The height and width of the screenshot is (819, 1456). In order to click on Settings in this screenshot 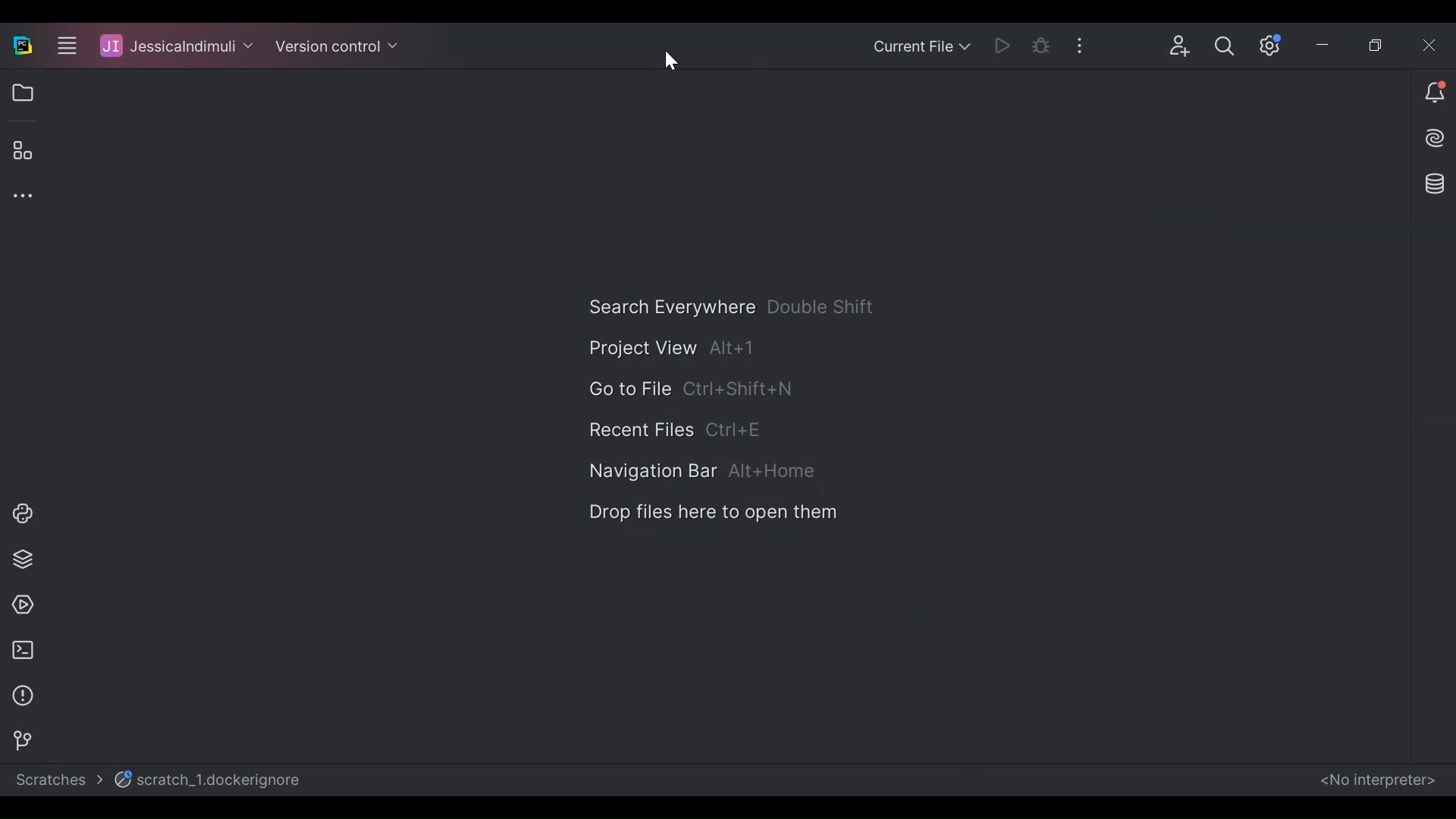, I will do `click(1274, 42)`.